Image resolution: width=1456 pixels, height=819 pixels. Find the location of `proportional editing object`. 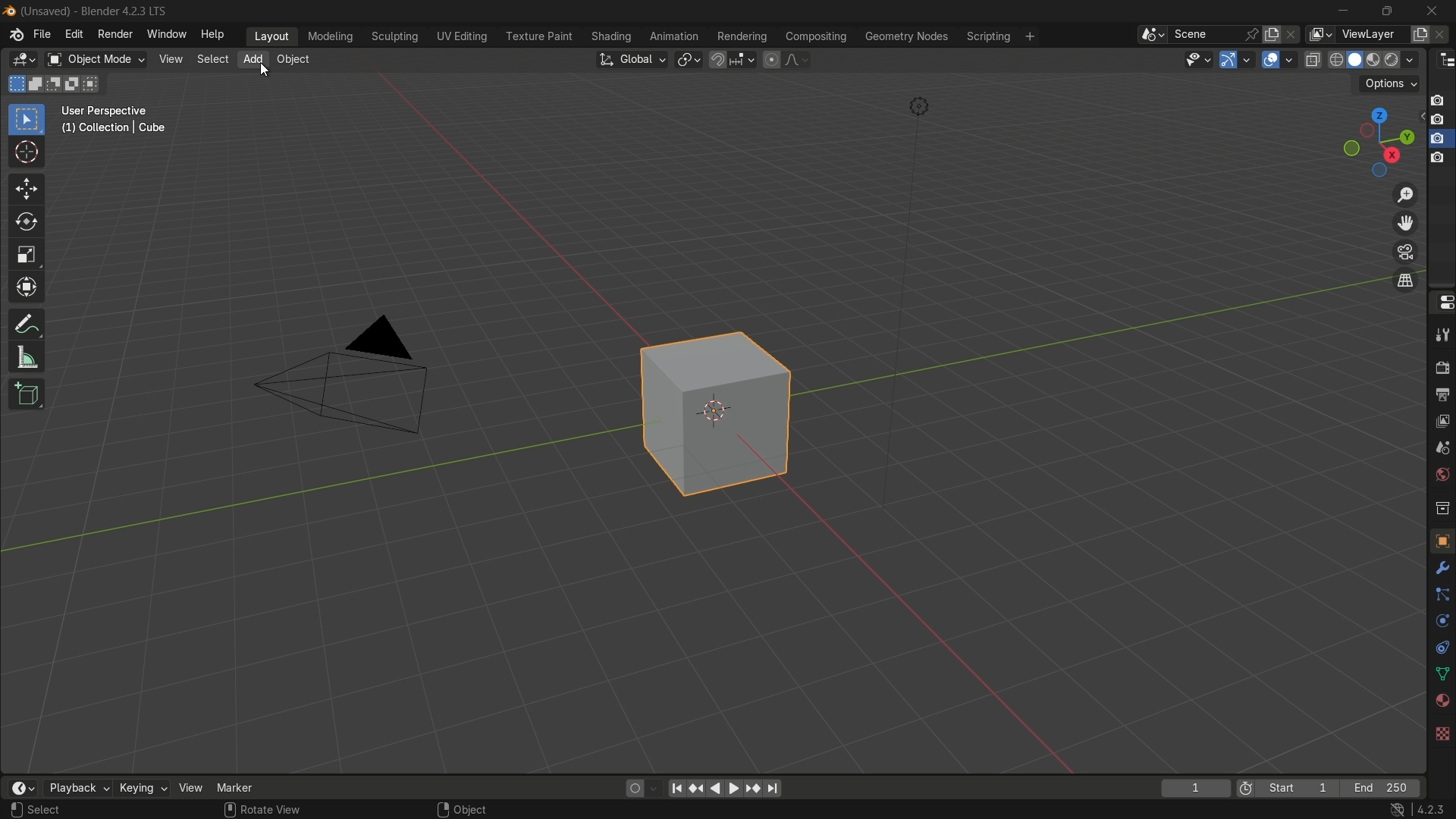

proportional editing object is located at coordinates (770, 59).